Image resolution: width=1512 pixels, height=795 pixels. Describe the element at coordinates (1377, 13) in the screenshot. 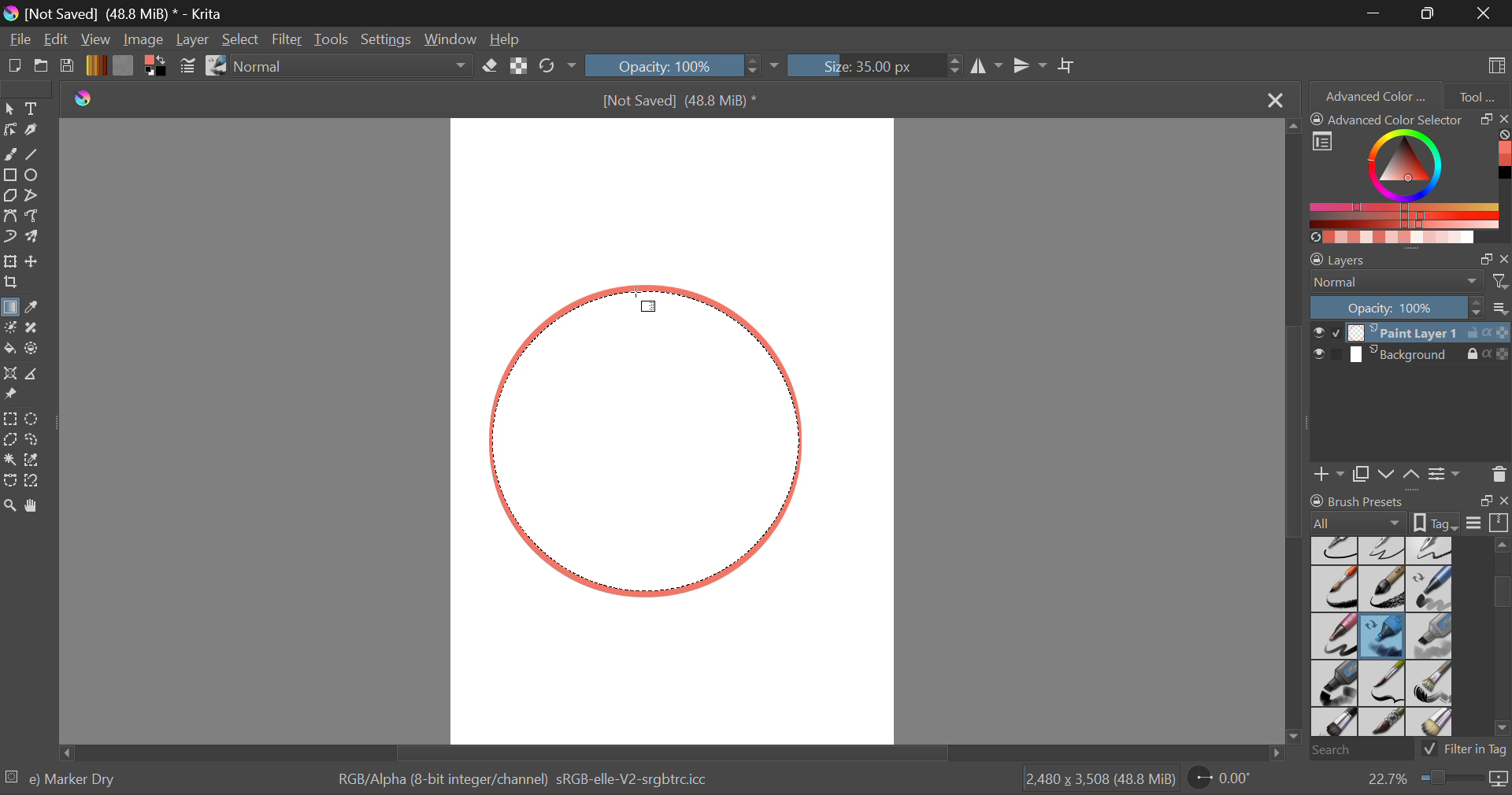

I see `Restore Down` at that location.